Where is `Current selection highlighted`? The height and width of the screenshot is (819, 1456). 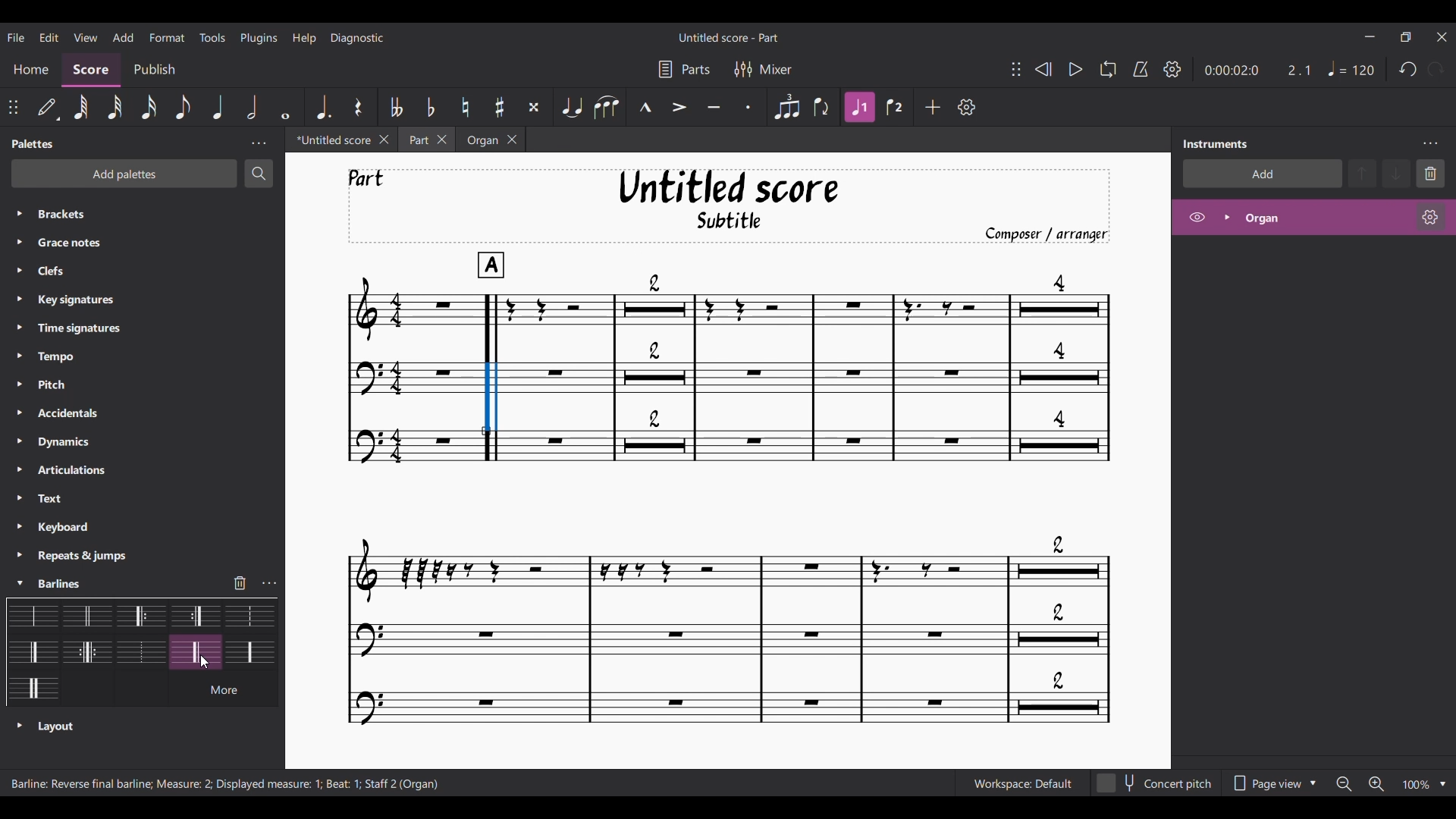 Current selection highlighted is located at coordinates (195, 653).